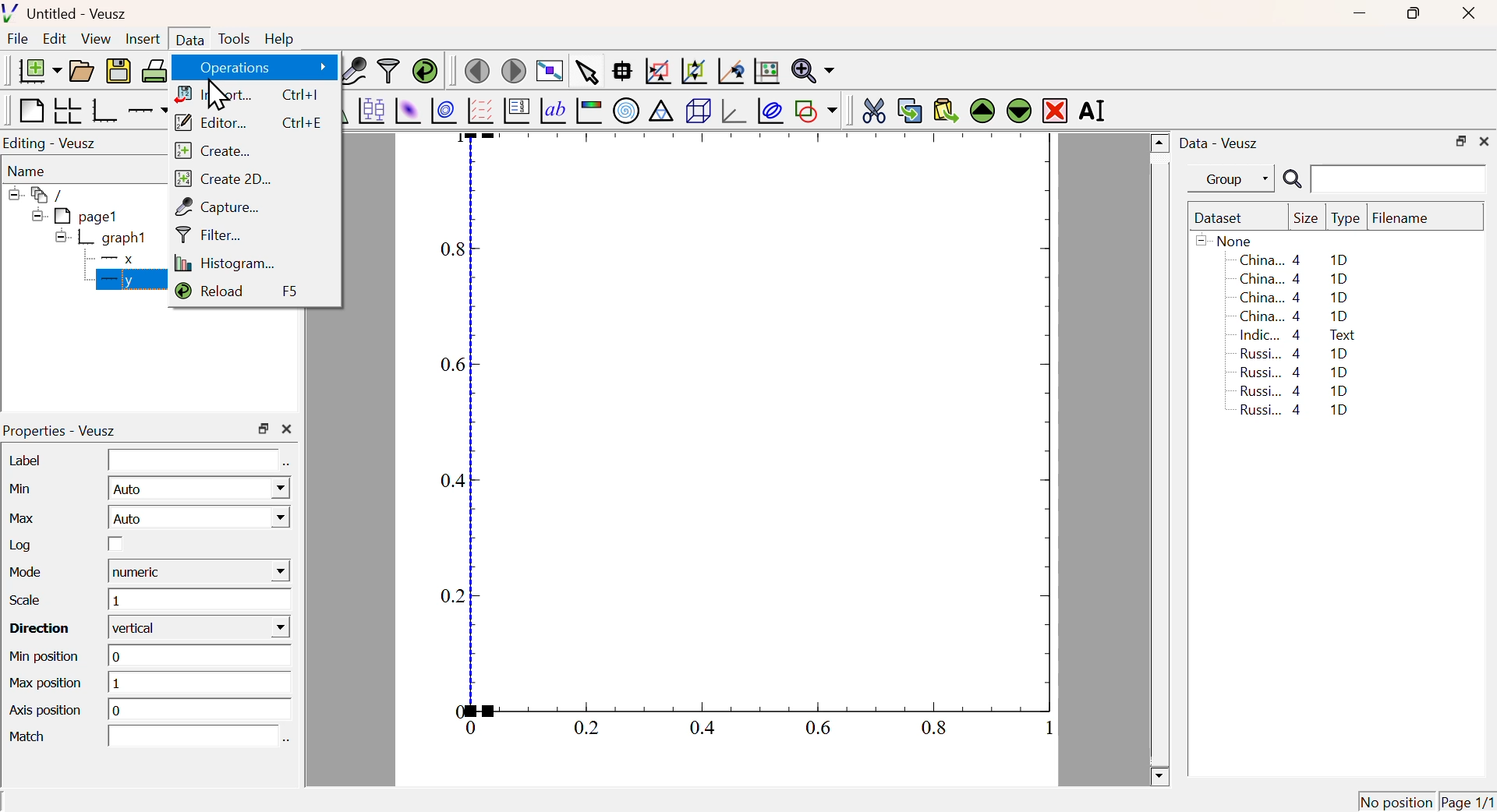  I want to click on o, so click(200, 709).